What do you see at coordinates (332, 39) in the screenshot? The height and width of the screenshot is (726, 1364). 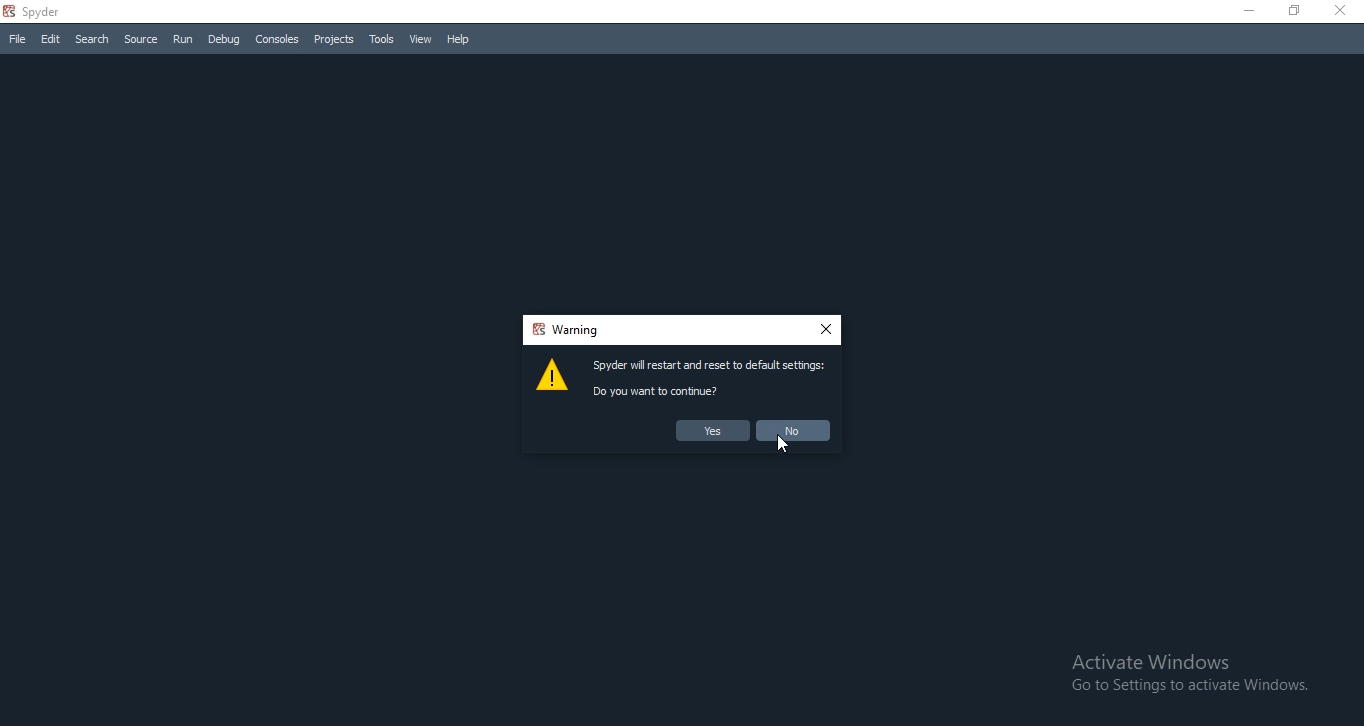 I see `Projects` at bounding box center [332, 39].